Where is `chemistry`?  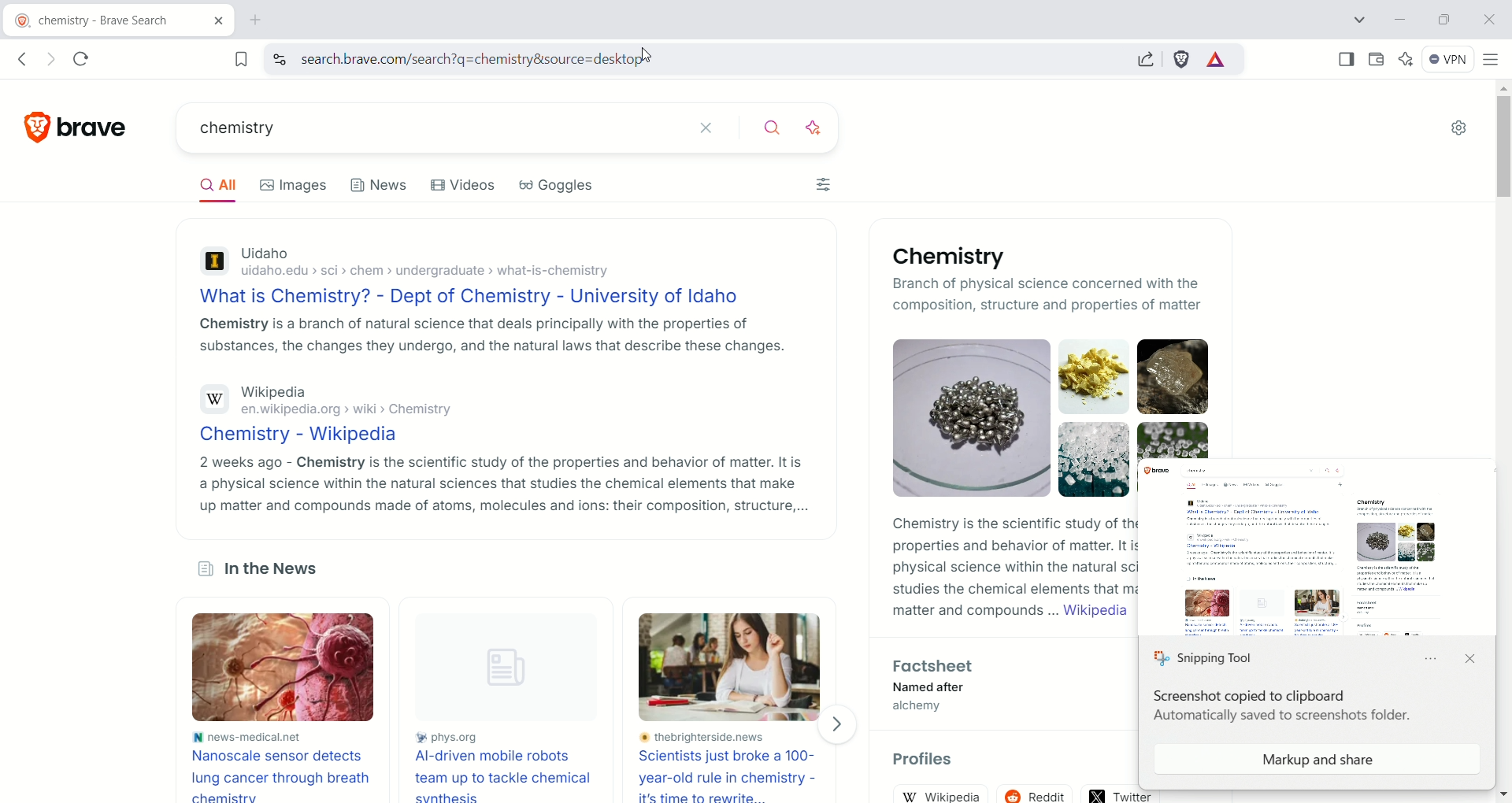
chemistry is located at coordinates (414, 130).